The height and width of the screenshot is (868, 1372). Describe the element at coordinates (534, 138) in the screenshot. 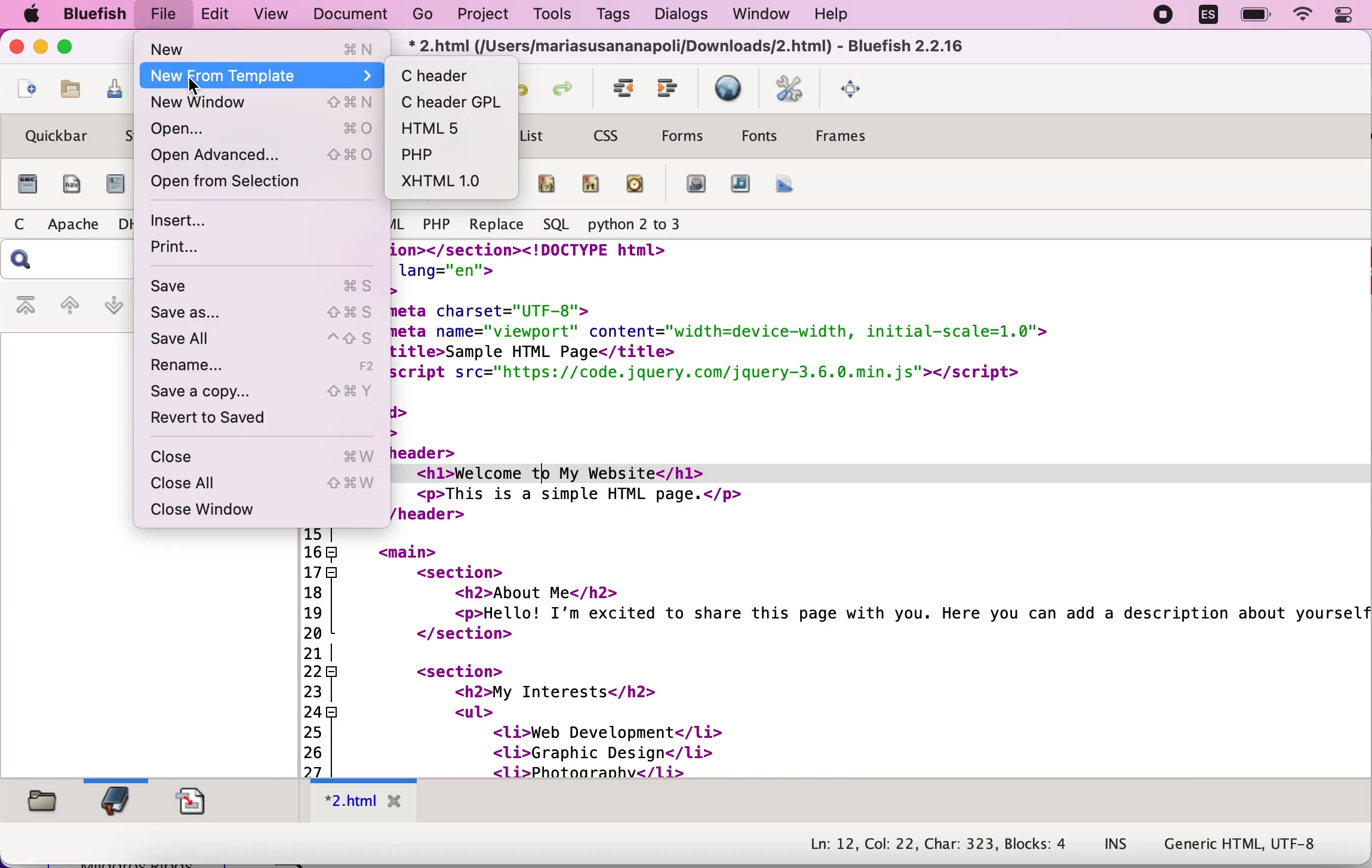

I see `list` at that location.